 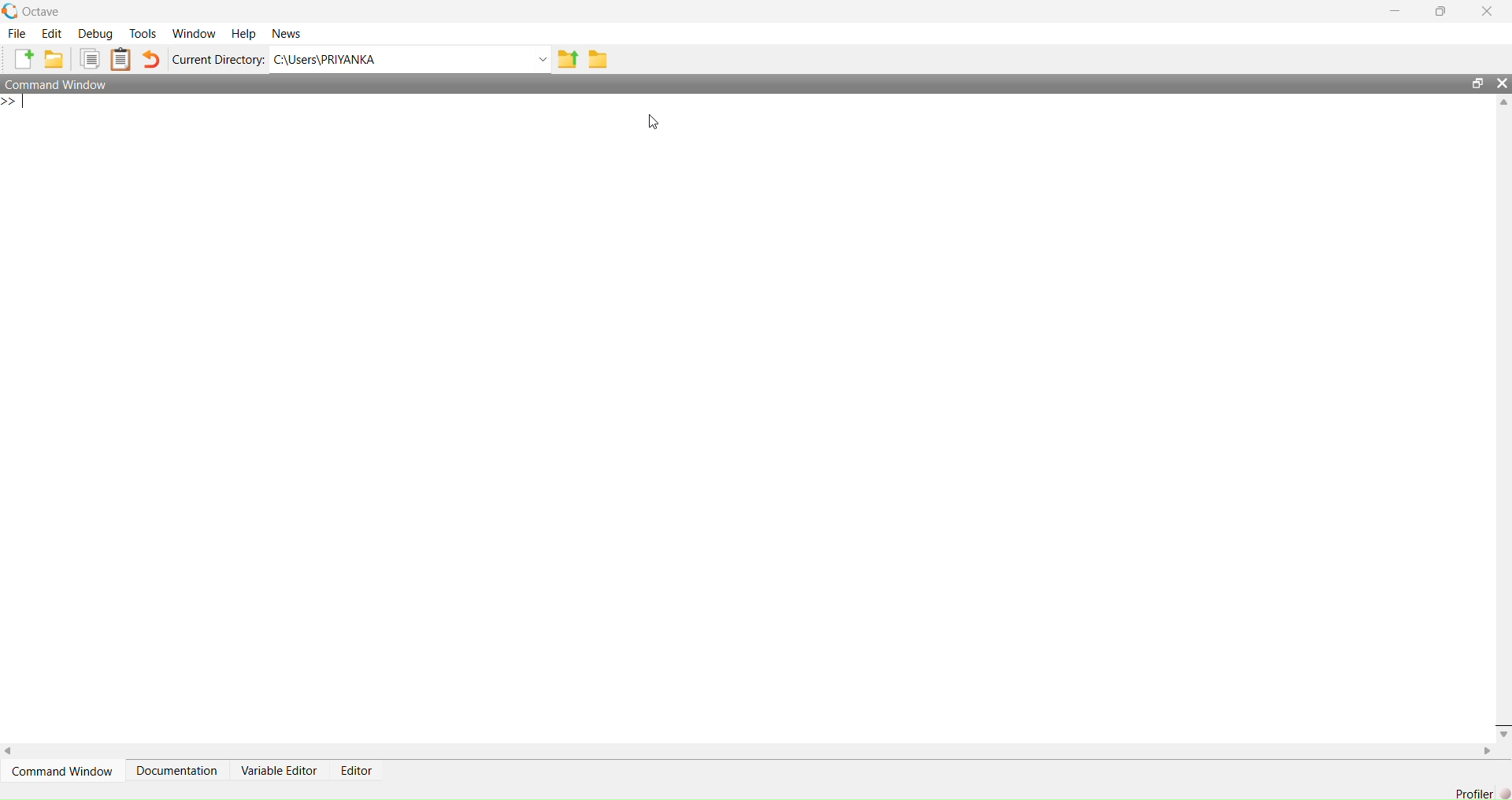 What do you see at coordinates (123, 59) in the screenshot?
I see `Clipboard` at bounding box center [123, 59].